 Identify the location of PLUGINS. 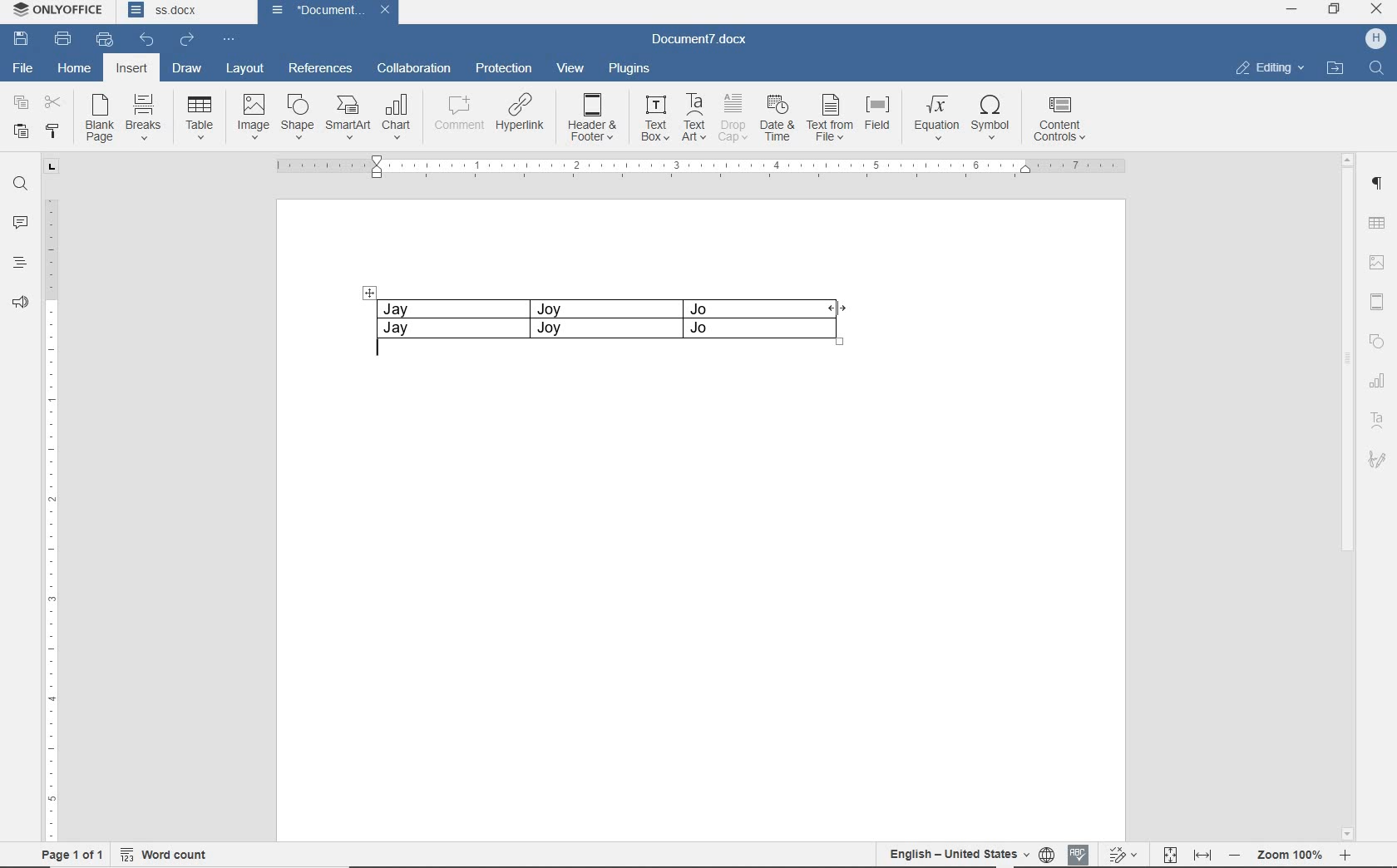
(629, 67).